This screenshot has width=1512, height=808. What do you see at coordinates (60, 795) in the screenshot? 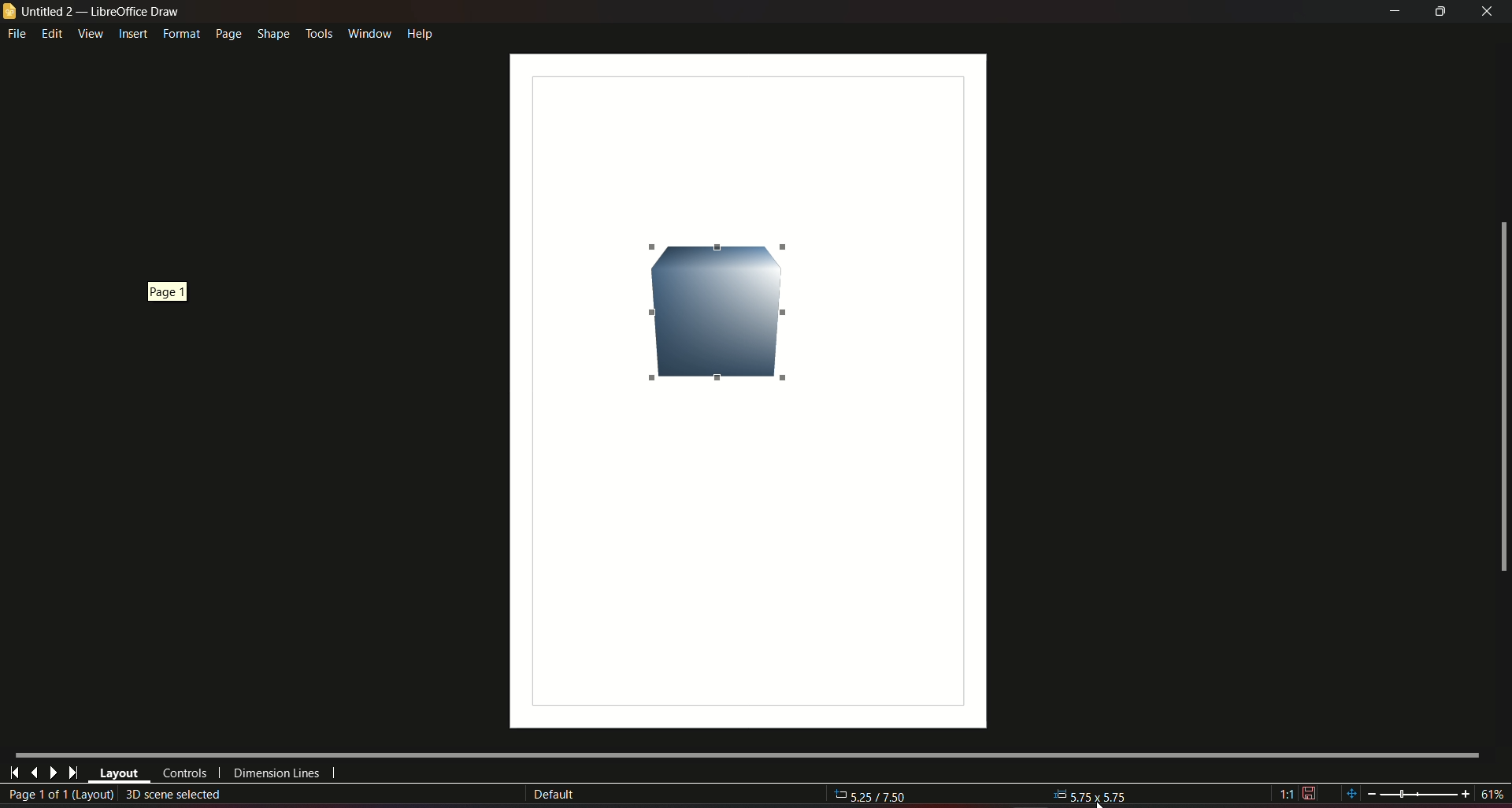
I see `page 1 of 1` at bounding box center [60, 795].